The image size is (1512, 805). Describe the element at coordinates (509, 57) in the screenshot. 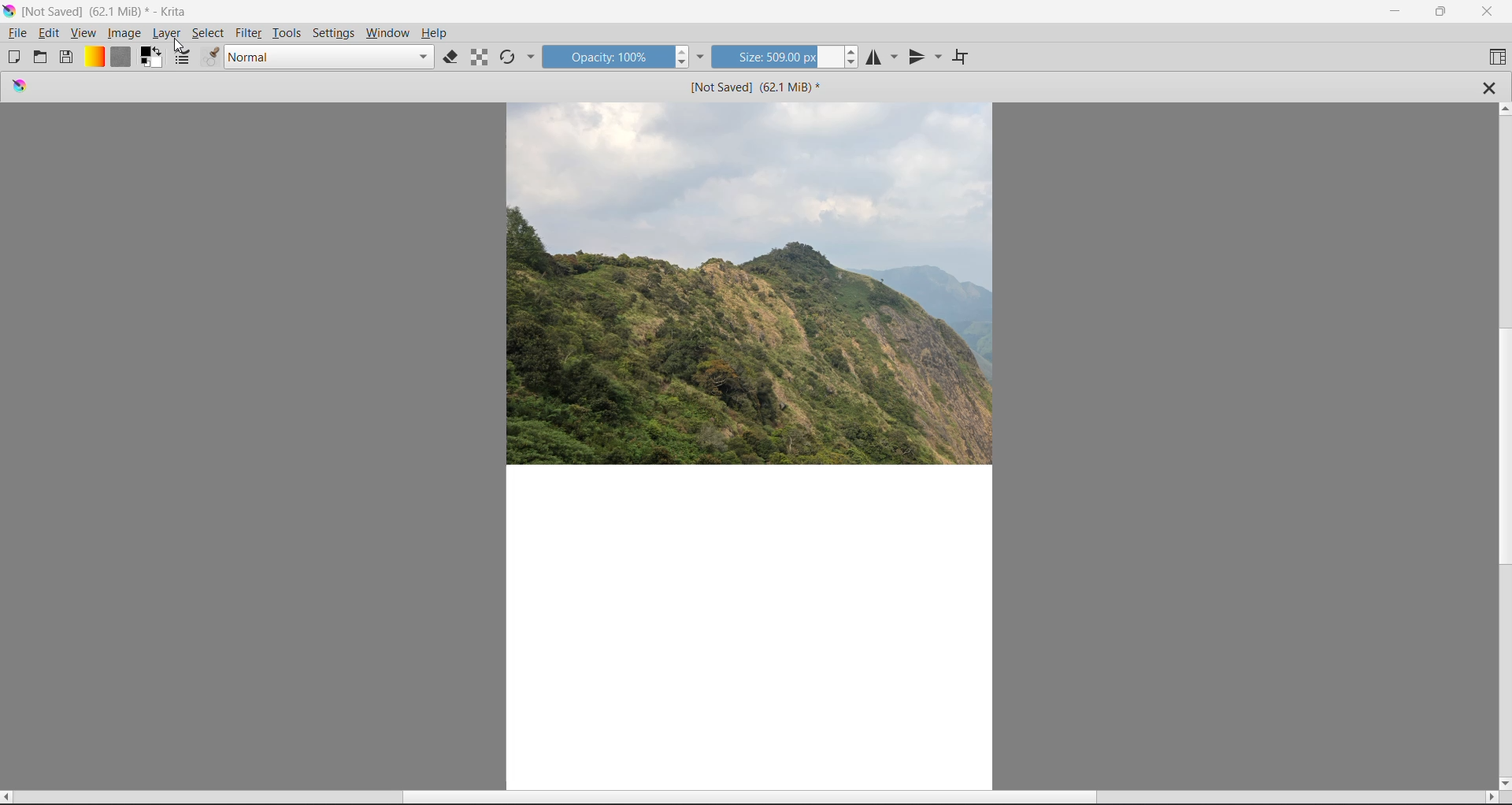

I see `Reload Original Preset` at that location.